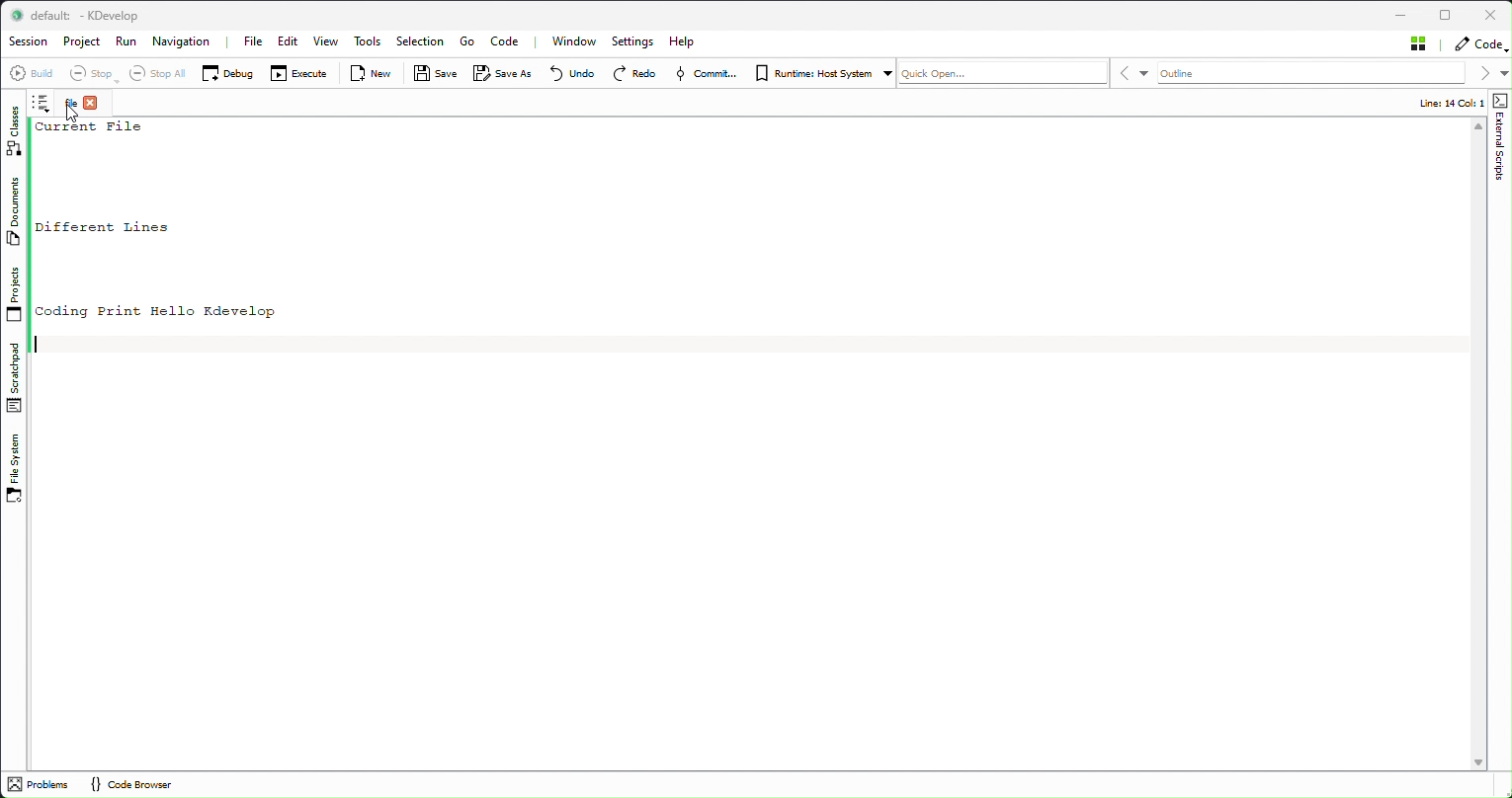  What do you see at coordinates (42, 104) in the screenshot?
I see `Notes` at bounding box center [42, 104].